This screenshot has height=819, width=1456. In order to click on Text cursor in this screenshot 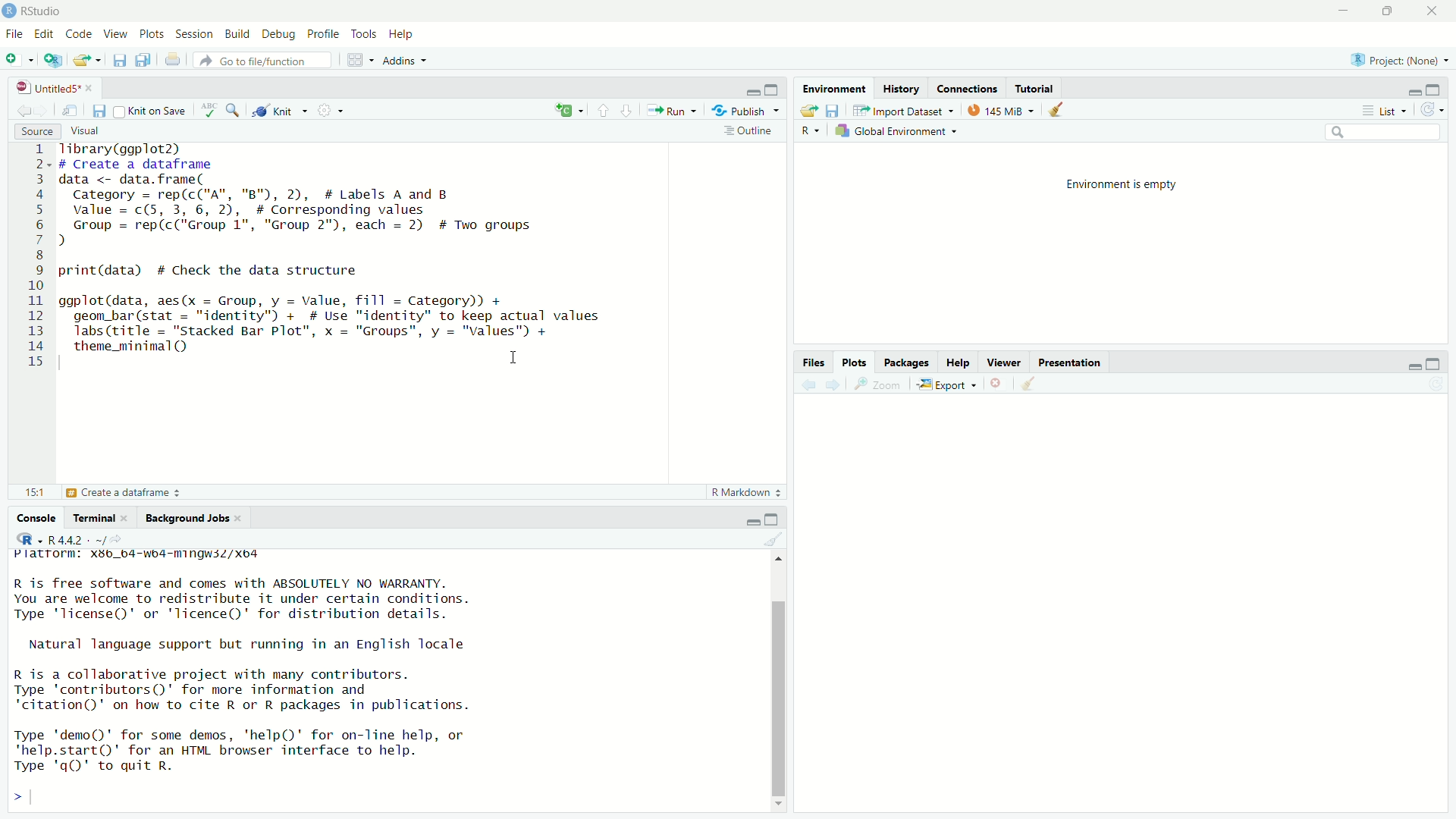, I will do `click(518, 359)`.